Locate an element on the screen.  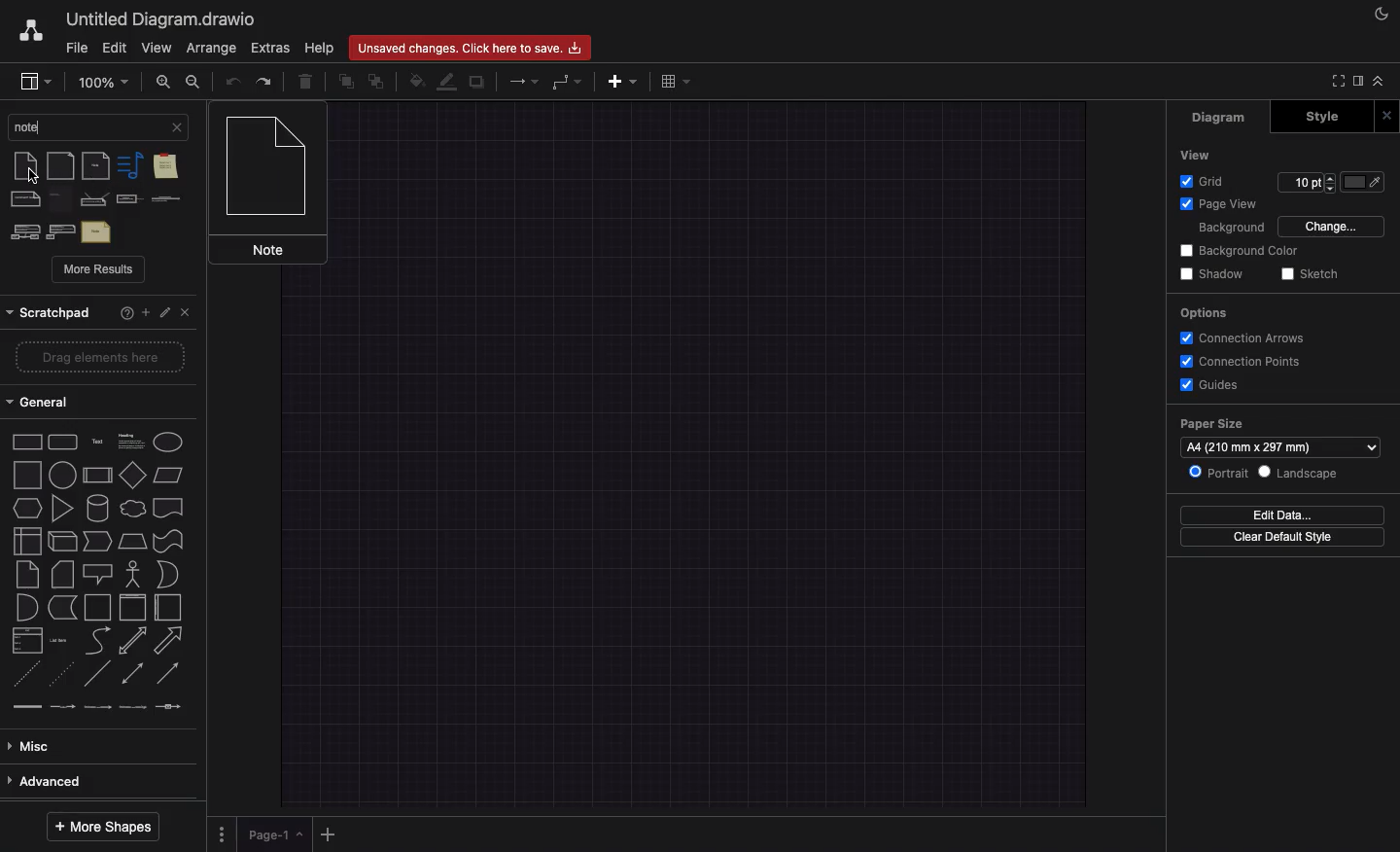
connector with 3 label is located at coordinates (135, 715).